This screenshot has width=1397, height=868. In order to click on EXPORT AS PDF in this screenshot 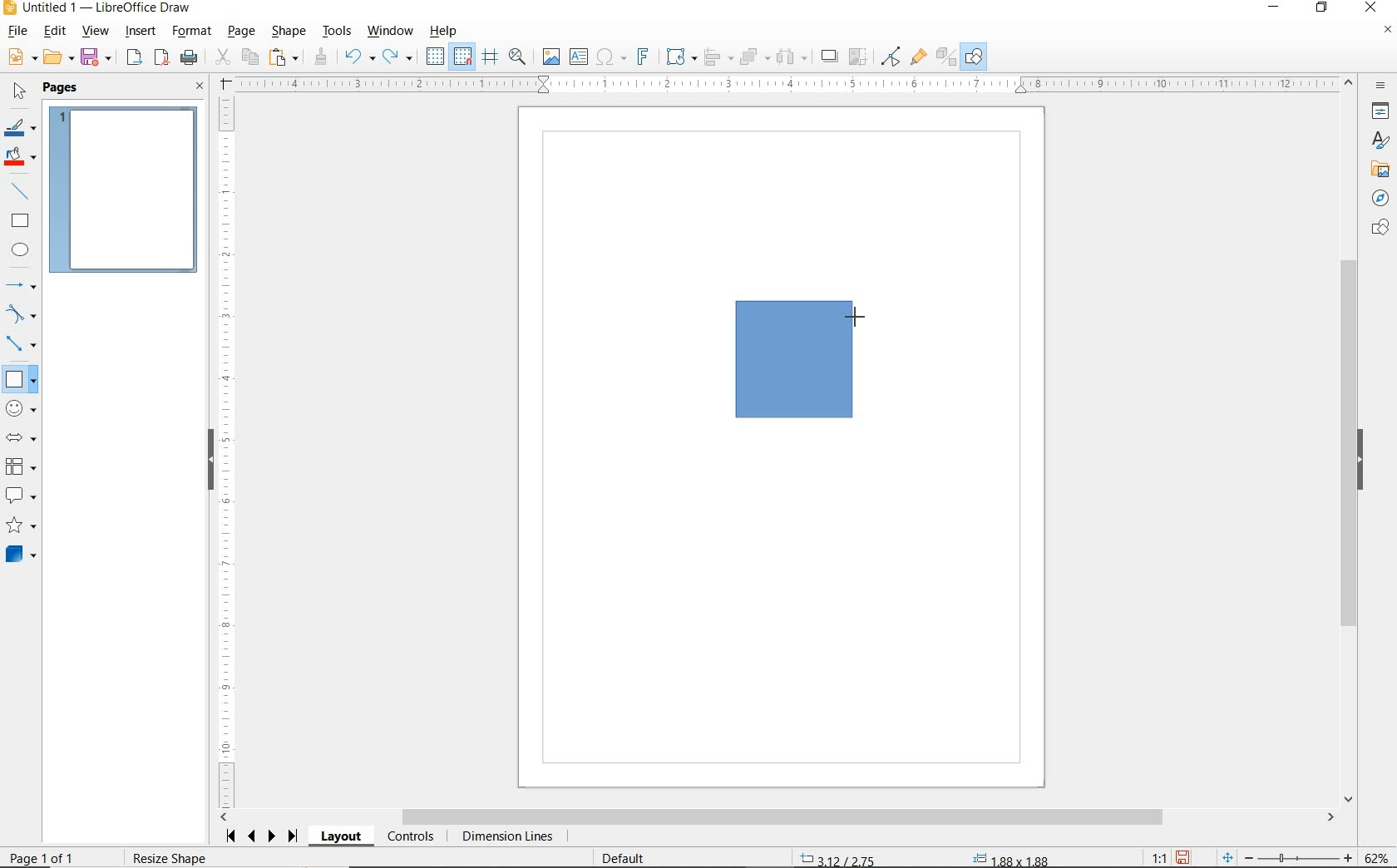, I will do `click(163, 59)`.